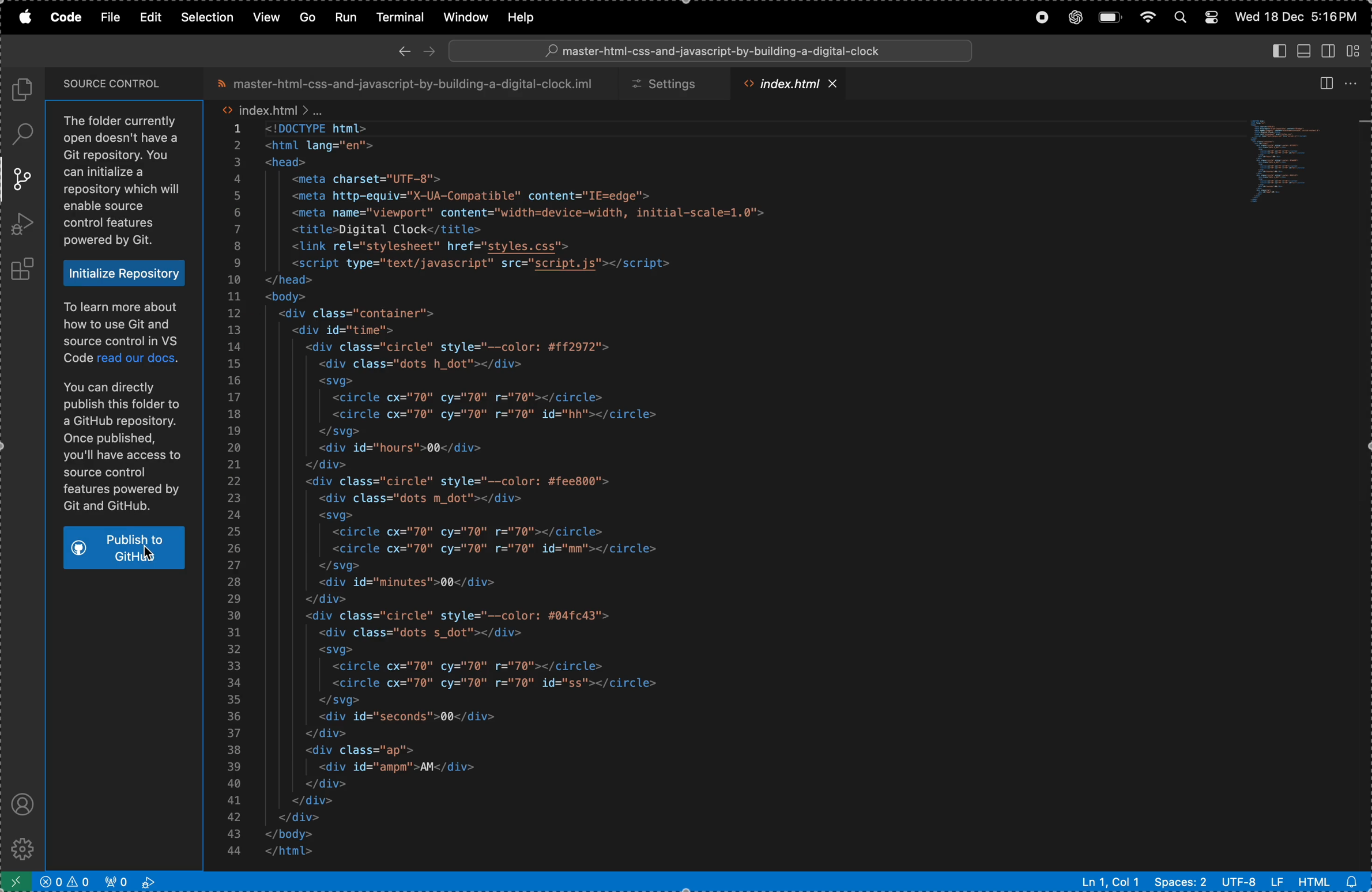 The image size is (1372, 892). What do you see at coordinates (1354, 50) in the screenshot?
I see `customize layout` at bounding box center [1354, 50].